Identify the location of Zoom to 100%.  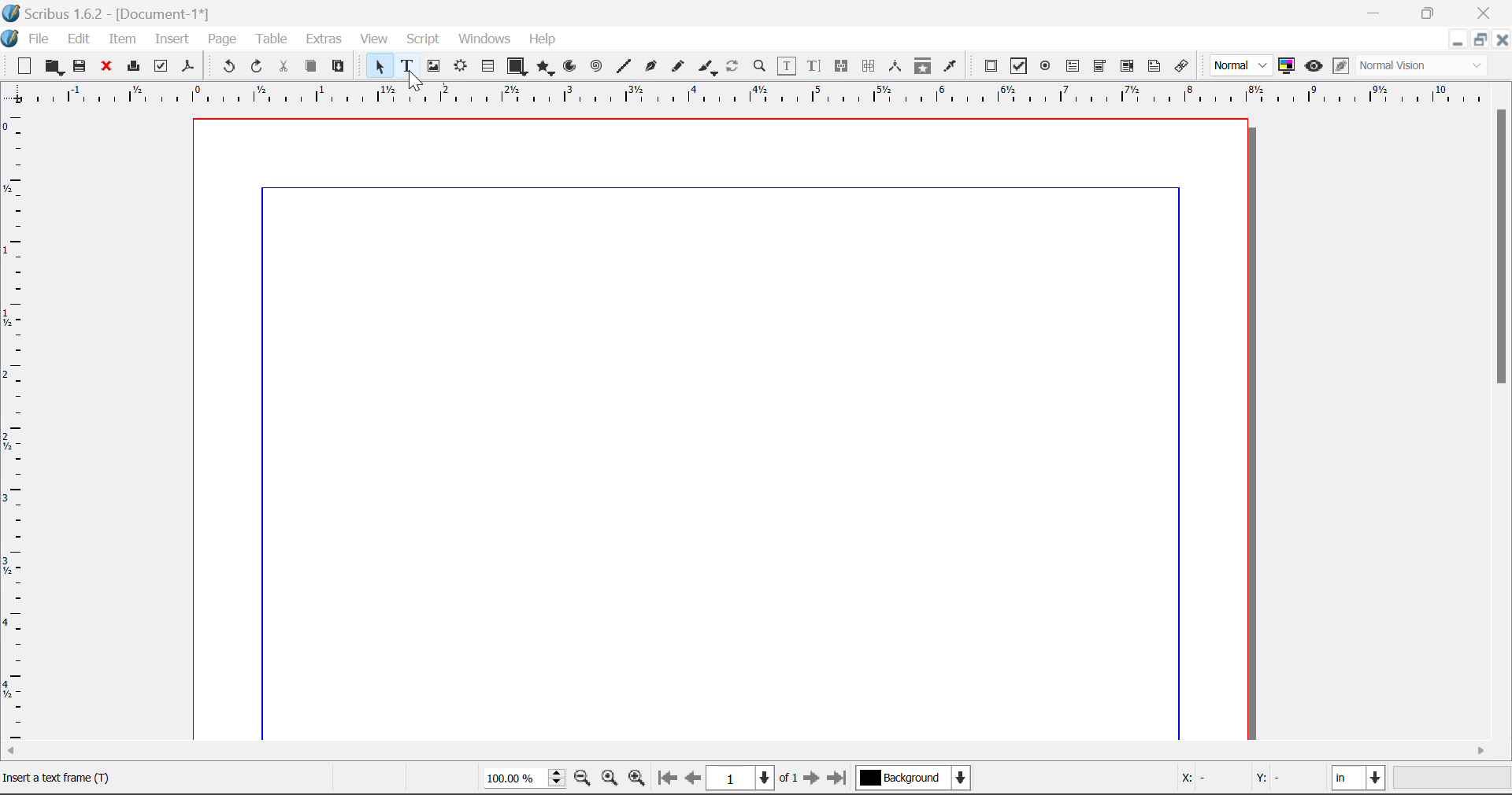
(610, 780).